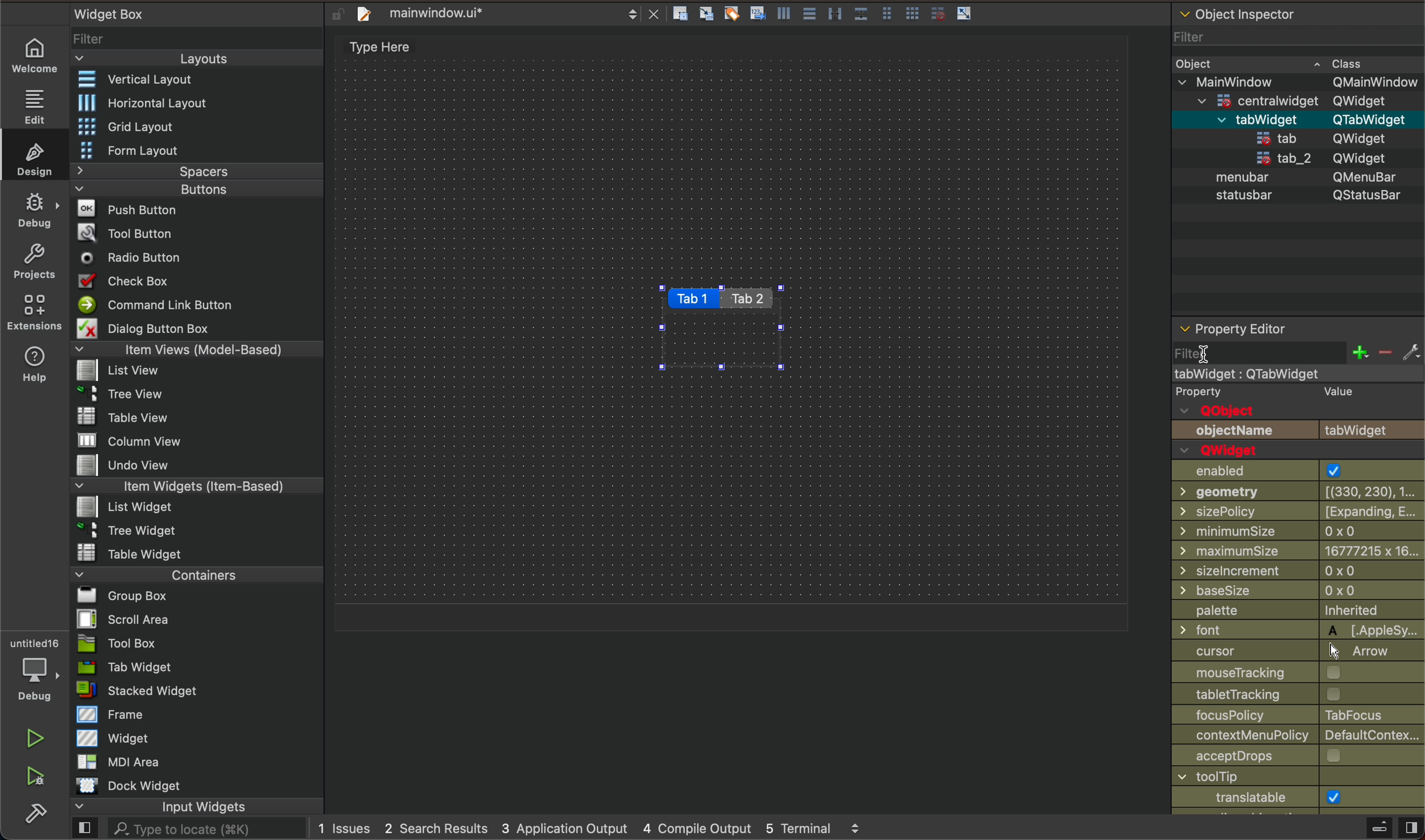  What do you see at coordinates (594, 828) in the screenshot?
I see `logs` at bounding box center [594, 828].